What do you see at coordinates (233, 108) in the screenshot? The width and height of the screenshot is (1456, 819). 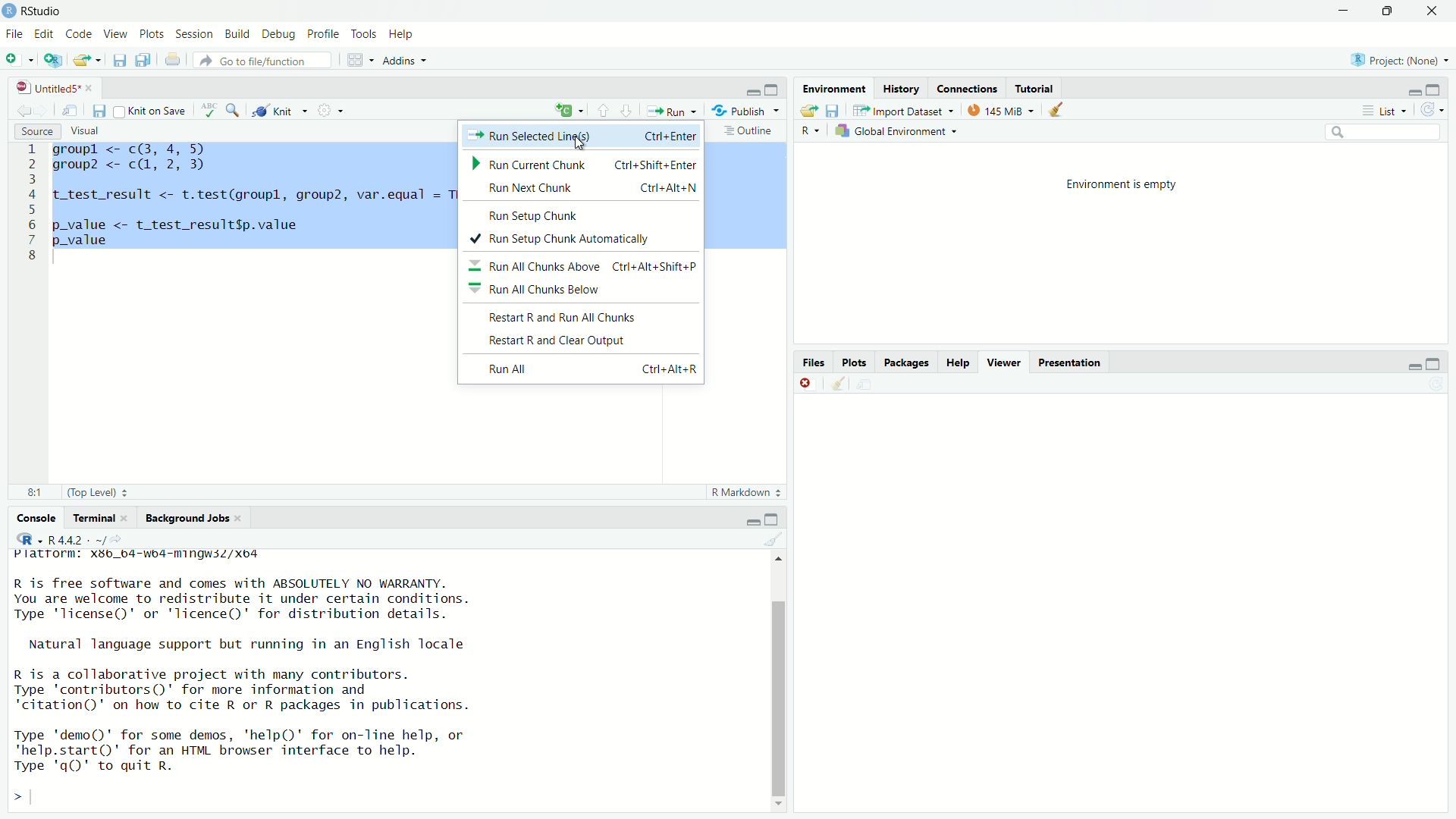 I see `search` at bounding box center [233, 108].